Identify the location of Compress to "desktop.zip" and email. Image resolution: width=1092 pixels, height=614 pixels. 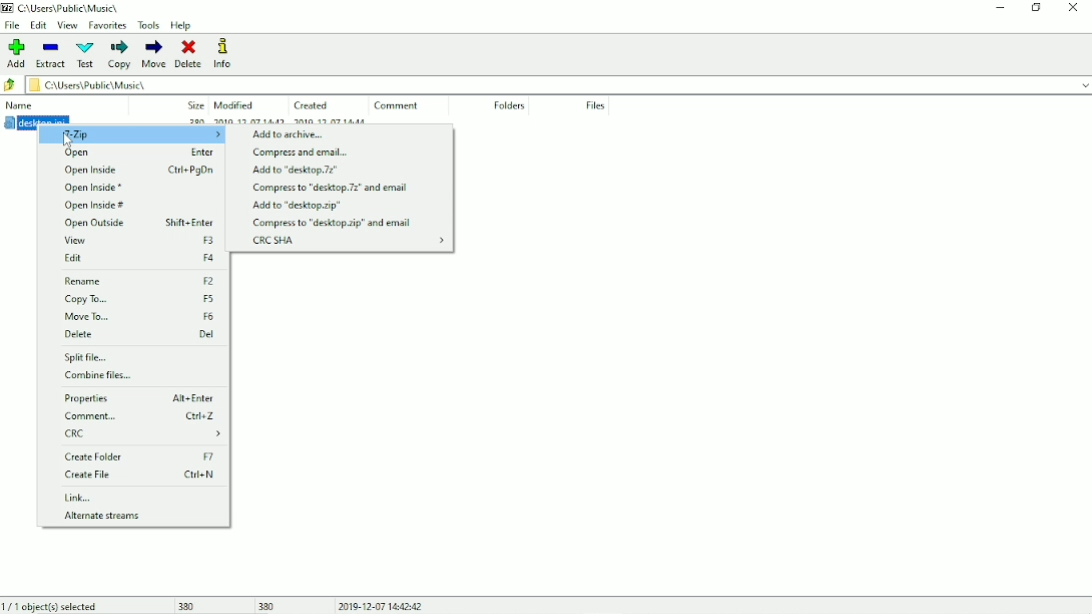
(332, 223).